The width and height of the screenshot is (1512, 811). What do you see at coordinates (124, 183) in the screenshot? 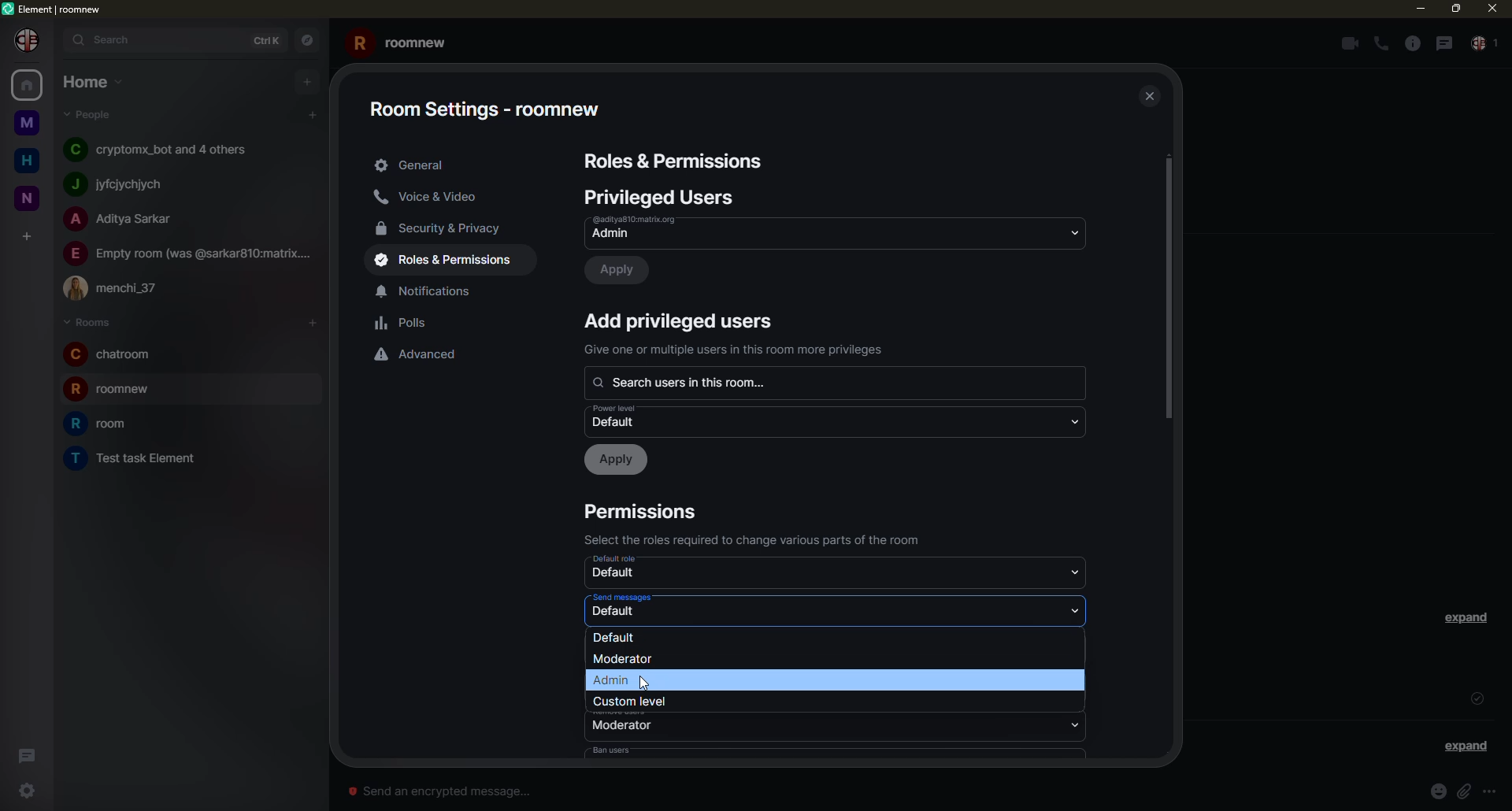
I see `people` at bounding box center [124, 183].